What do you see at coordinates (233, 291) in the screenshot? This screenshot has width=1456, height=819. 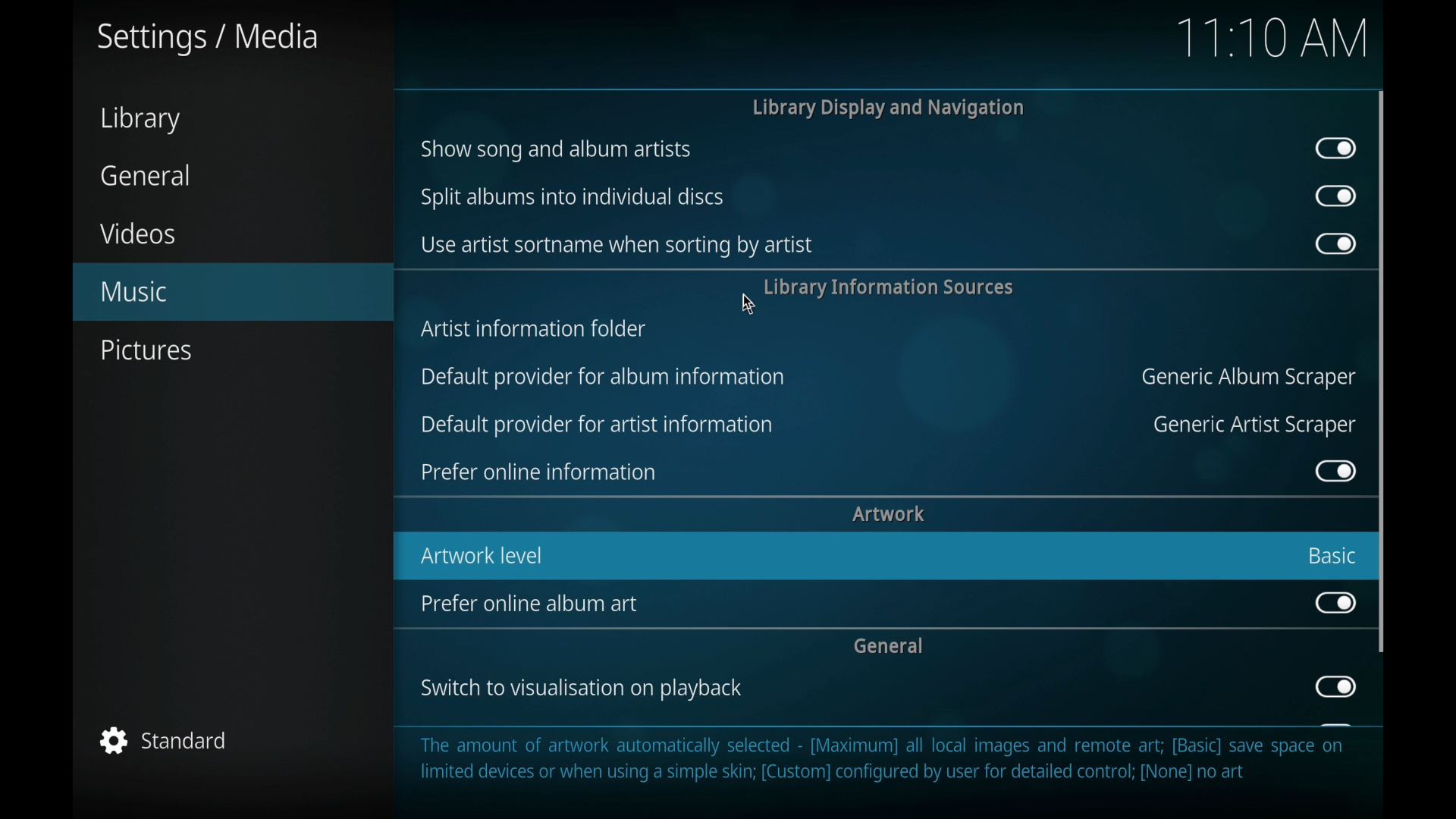 I see `music` at bounding box center [233, 291].